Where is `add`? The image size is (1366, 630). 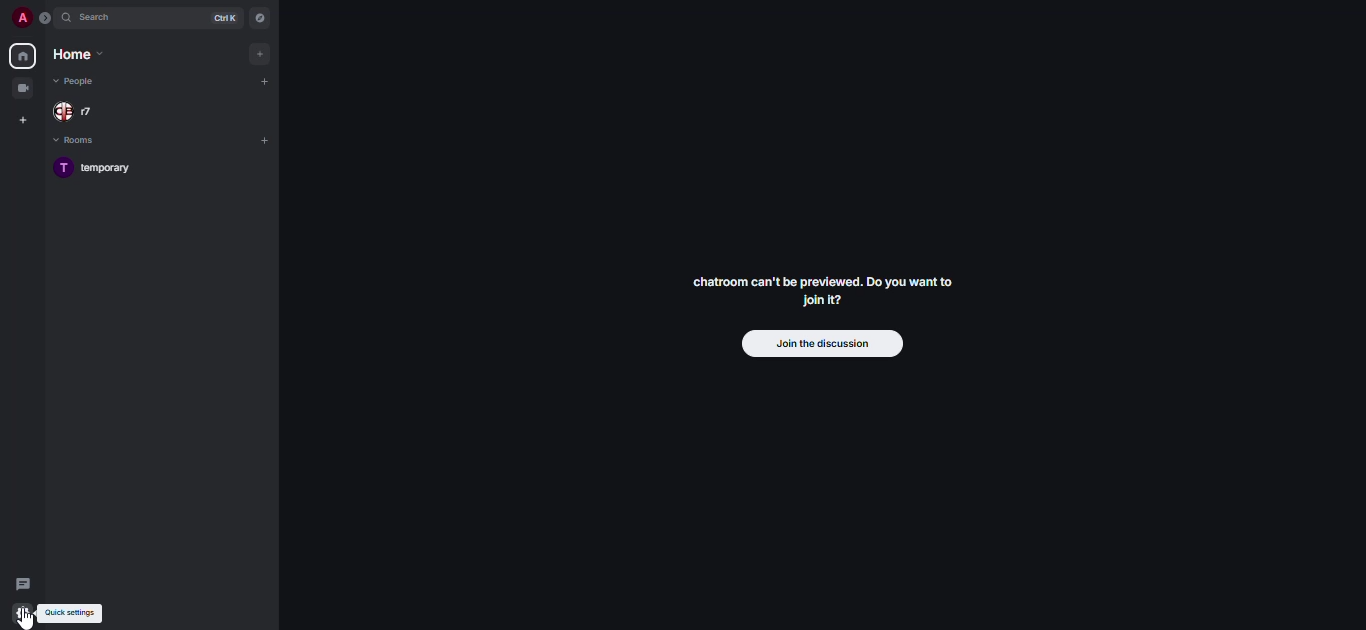 add is located at coordinates (264, 80).